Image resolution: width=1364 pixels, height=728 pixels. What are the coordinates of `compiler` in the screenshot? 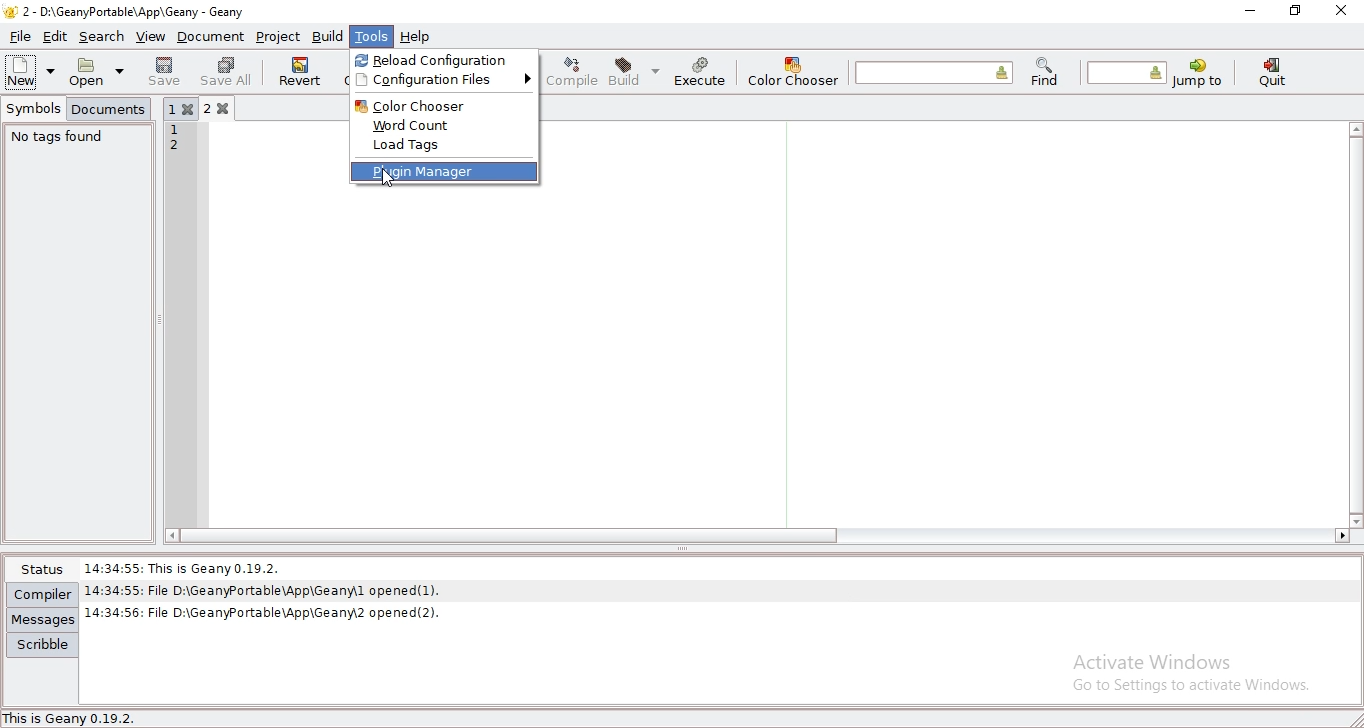 It's located at (41, 594).